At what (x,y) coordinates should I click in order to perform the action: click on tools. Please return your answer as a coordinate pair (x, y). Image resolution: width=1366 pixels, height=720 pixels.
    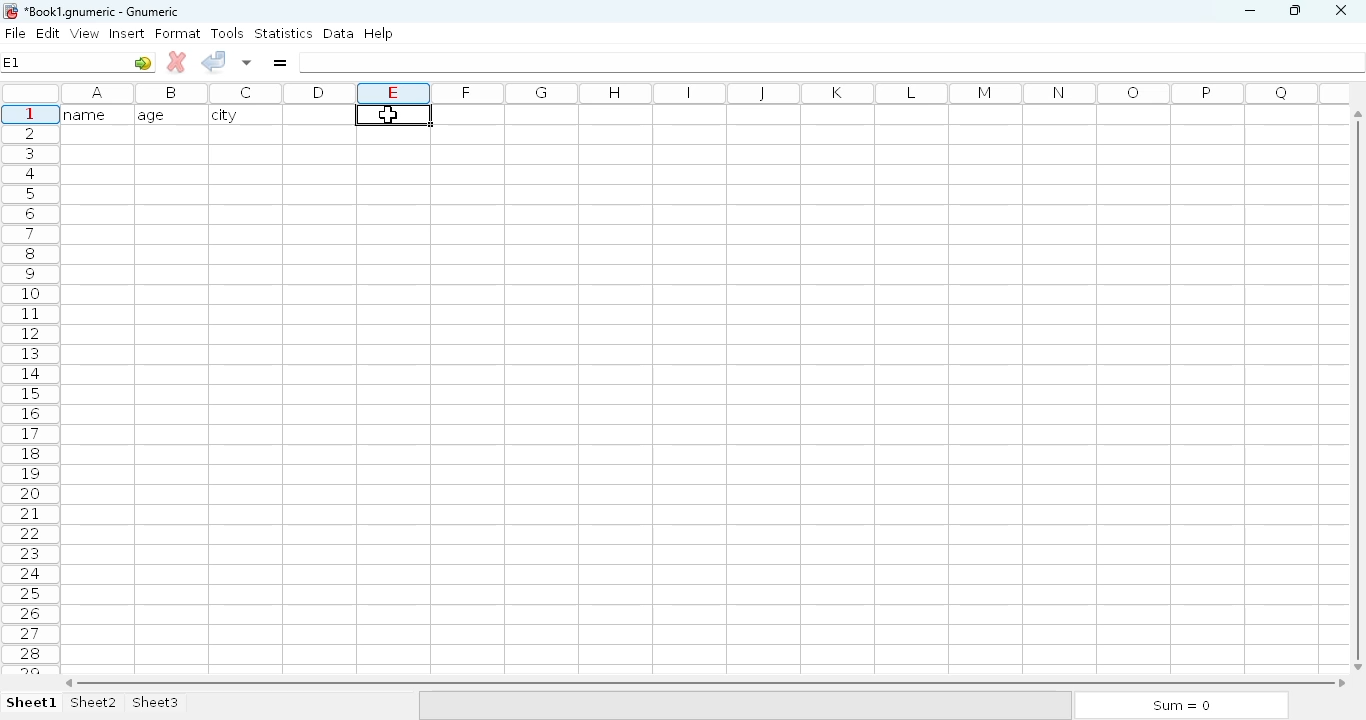
    Looking at the image, I should click on (227, 33).